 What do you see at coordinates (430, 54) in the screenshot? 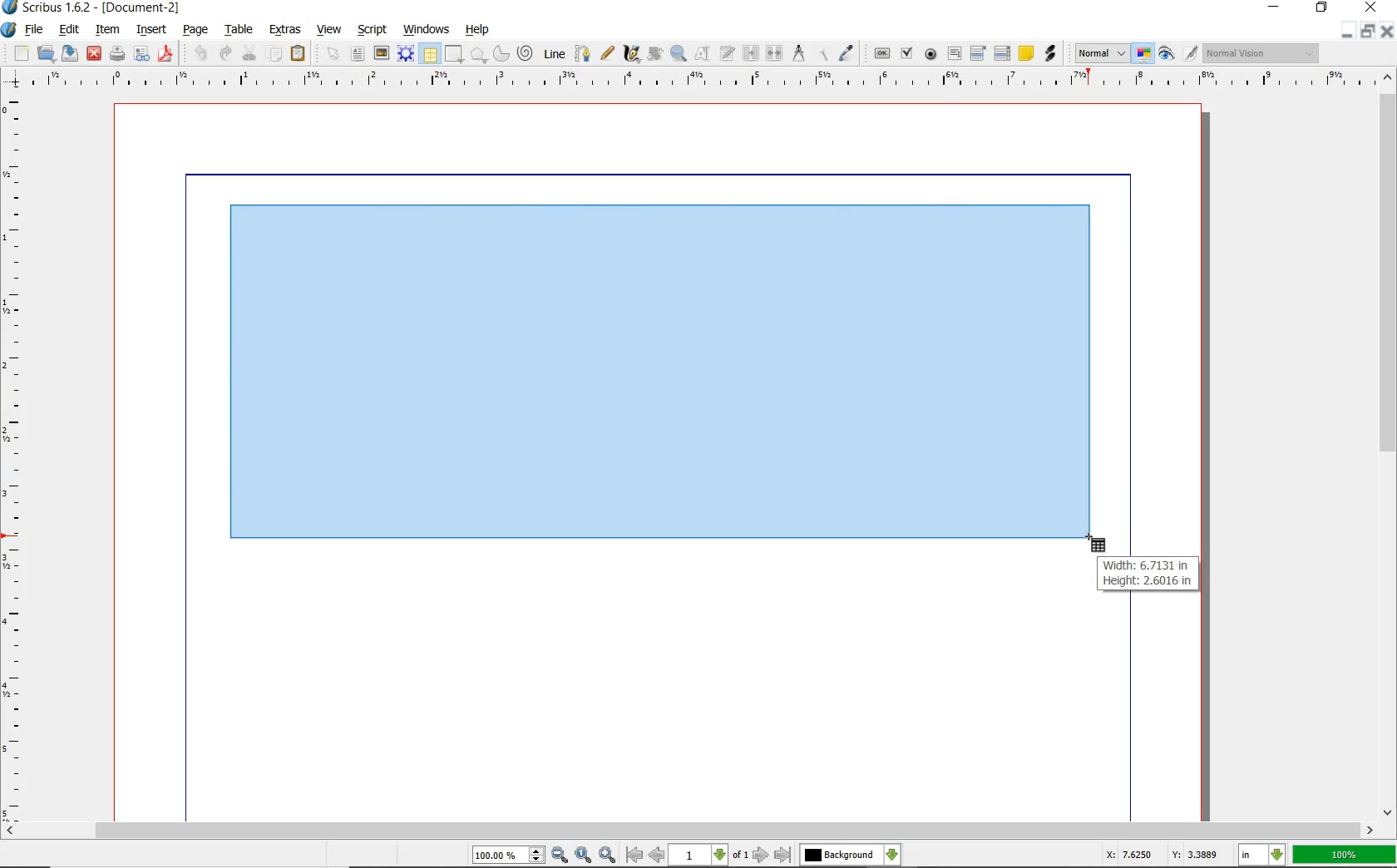
I see `table` at bounding box center [430, 54].